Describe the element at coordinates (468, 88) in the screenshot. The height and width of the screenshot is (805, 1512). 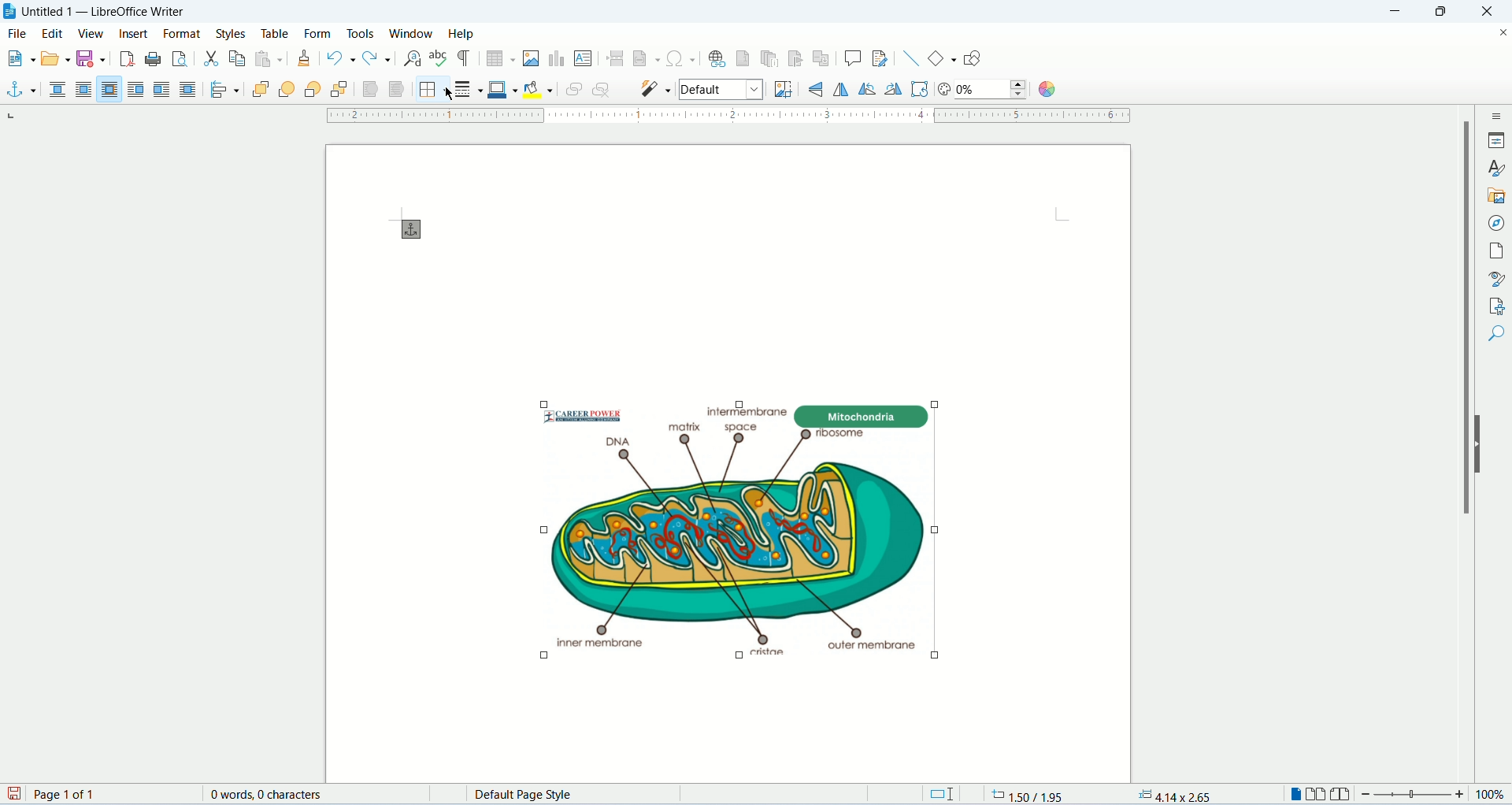
I see `border style` at that location.